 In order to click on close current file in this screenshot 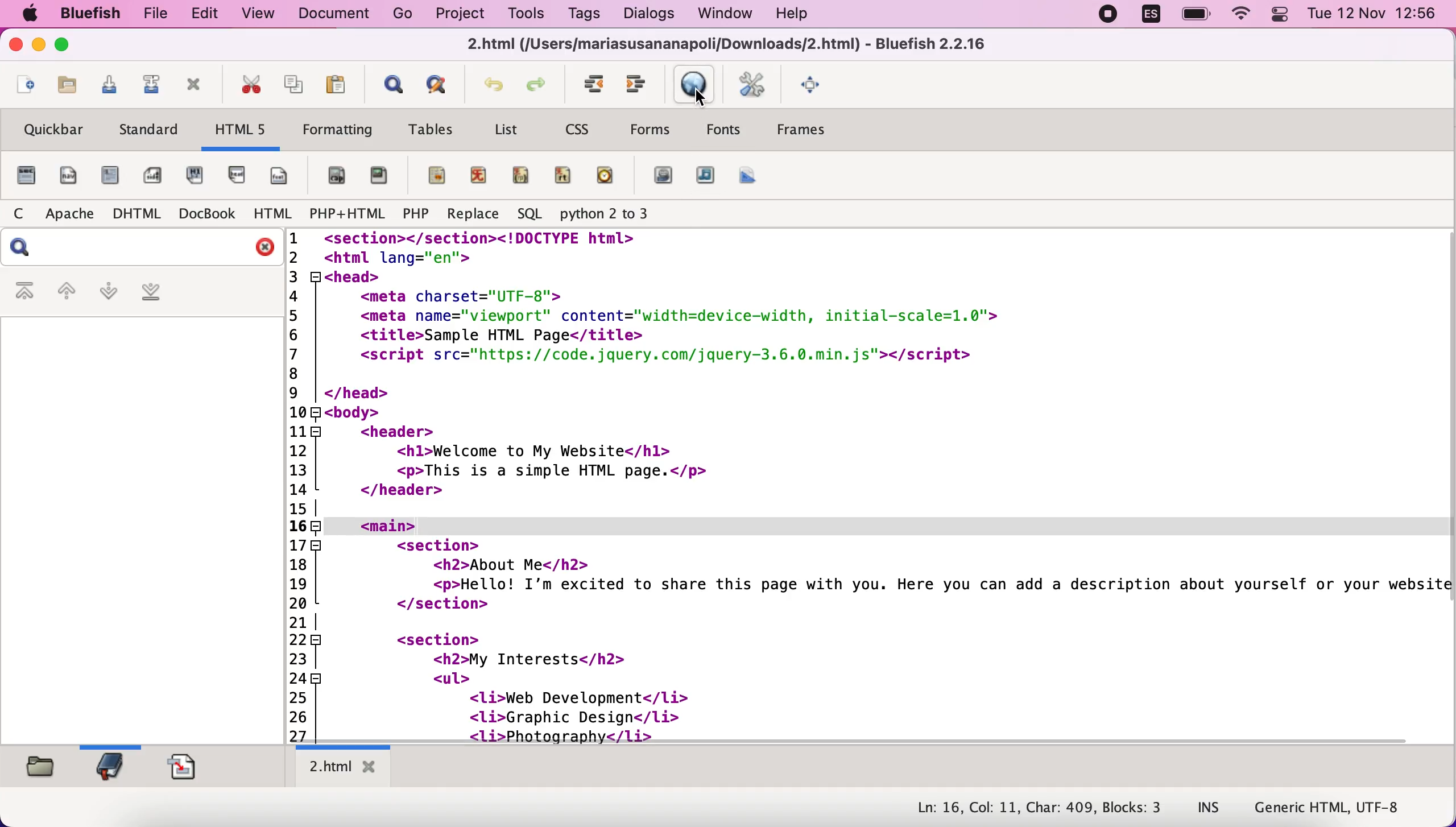, I will do `click(198, 88)`.